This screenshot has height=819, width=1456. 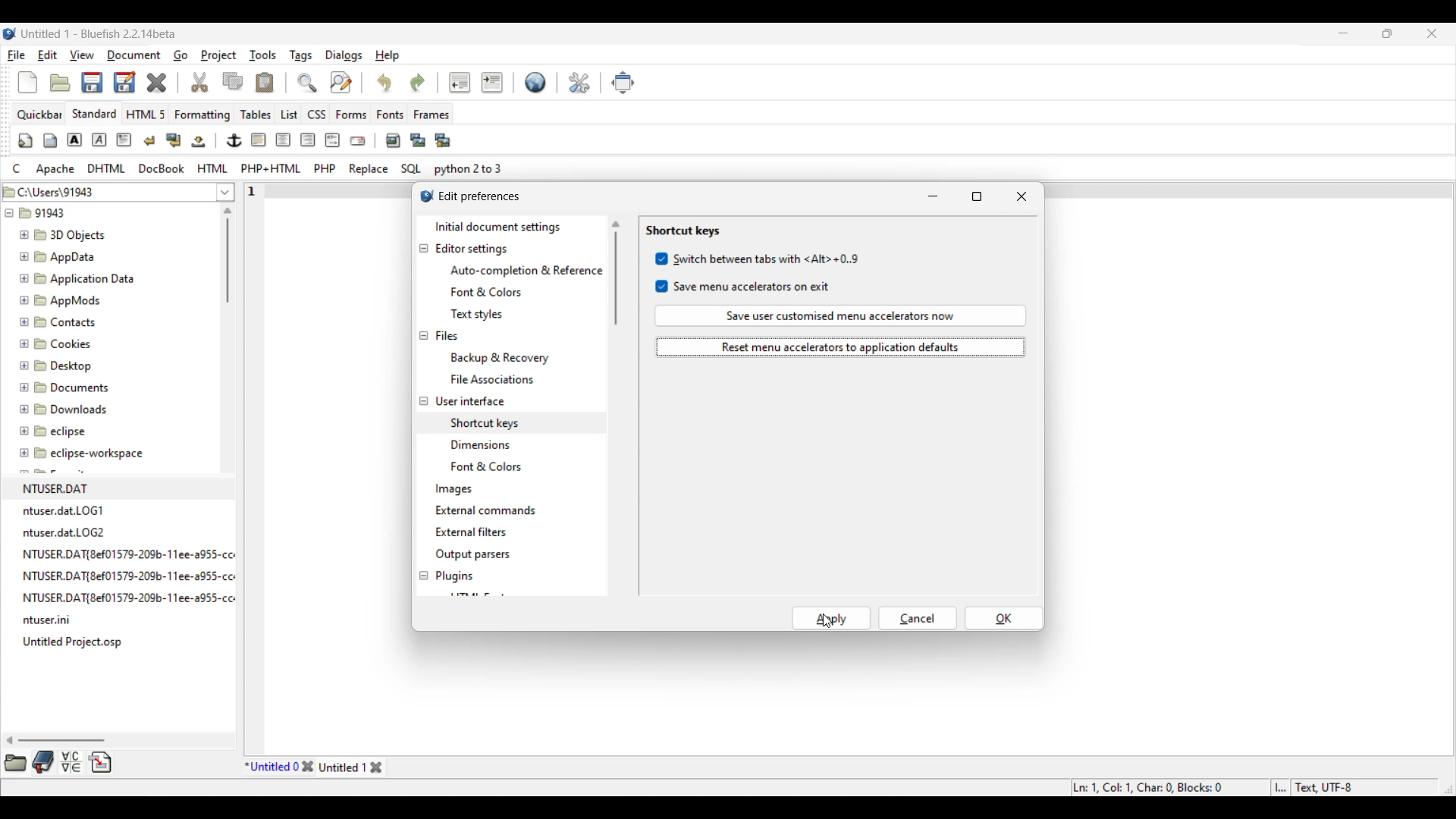 I want to click on ntuser.ini, so click(x=52, y=622).